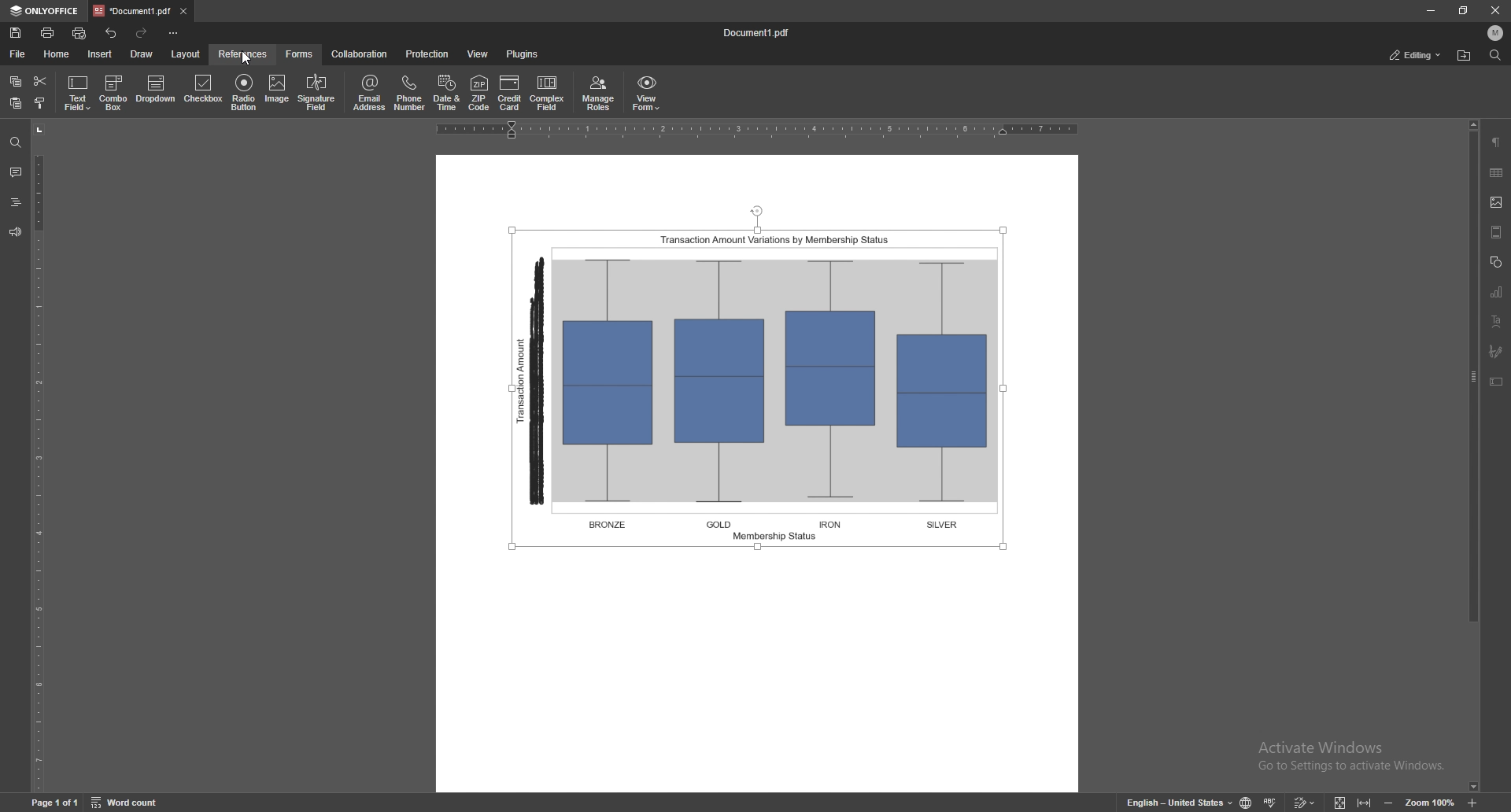  What do you see at coordinates (1494, 55) in the screenshot?
I see `find` at bounding box center [1494, 55].